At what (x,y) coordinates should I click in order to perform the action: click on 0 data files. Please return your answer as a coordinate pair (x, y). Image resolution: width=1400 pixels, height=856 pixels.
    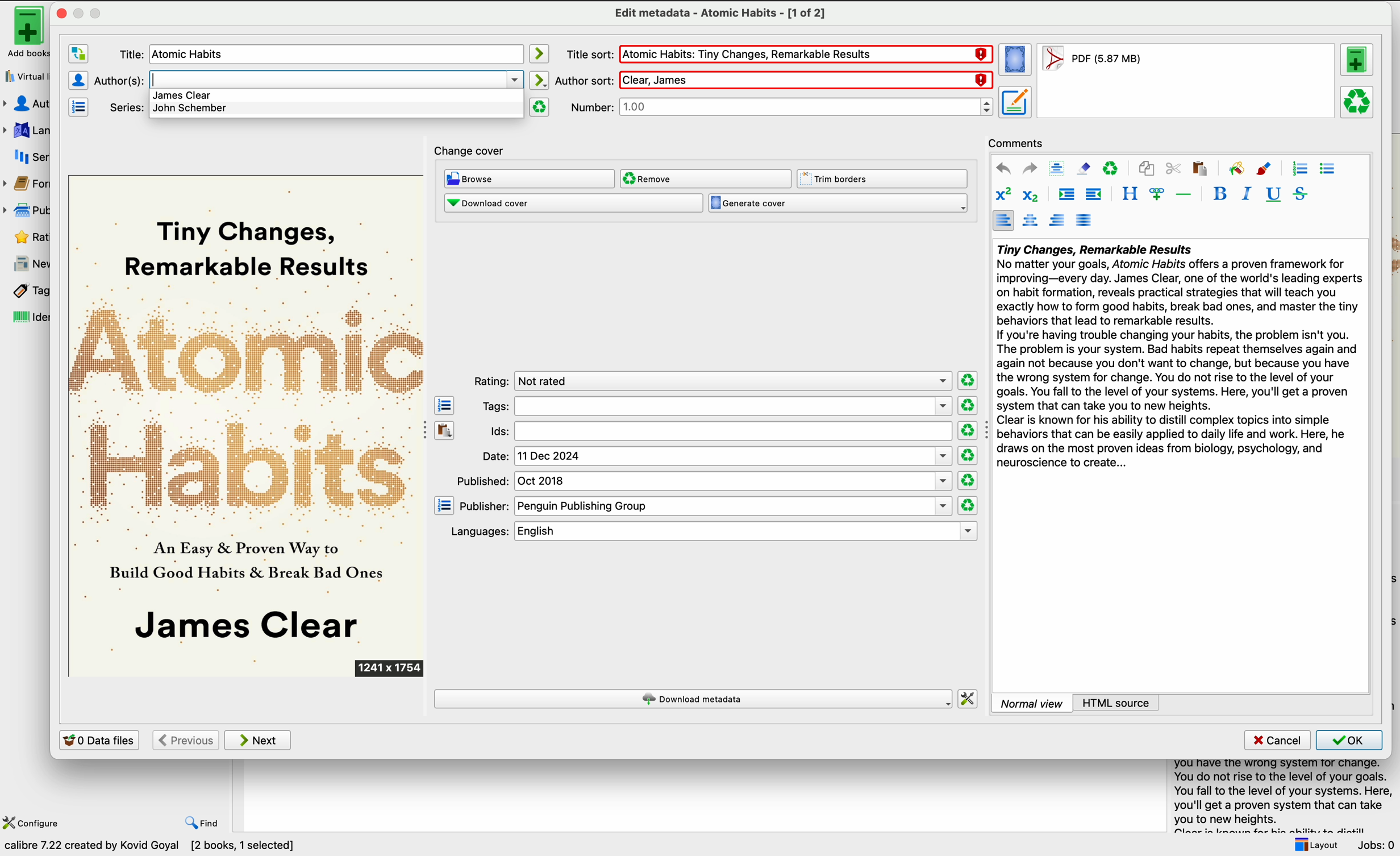
    Looking at the image, I should click on (99, 739).